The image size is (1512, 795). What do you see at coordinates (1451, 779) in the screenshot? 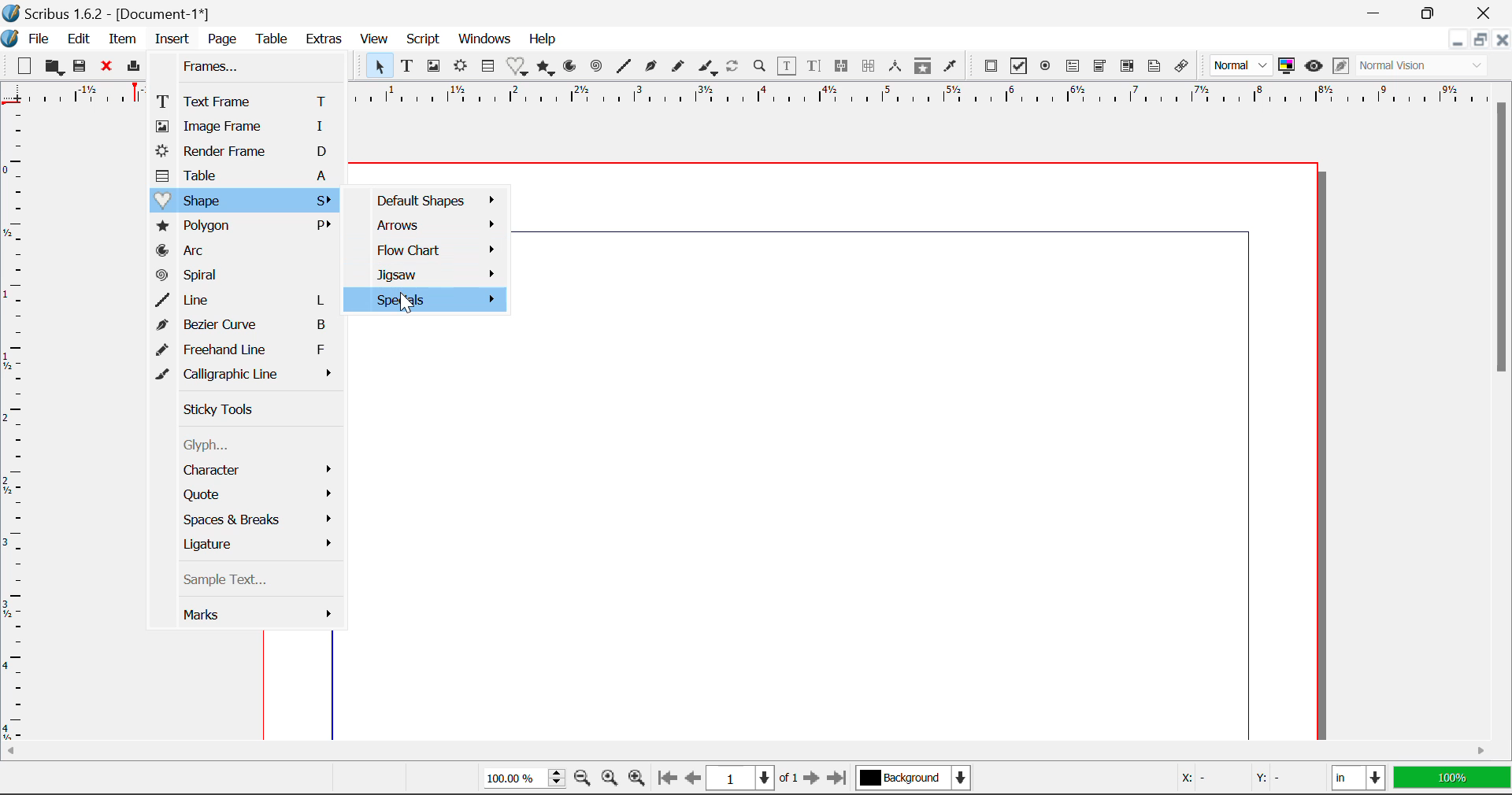
I see `100%` at bounding box center [1451, 779].